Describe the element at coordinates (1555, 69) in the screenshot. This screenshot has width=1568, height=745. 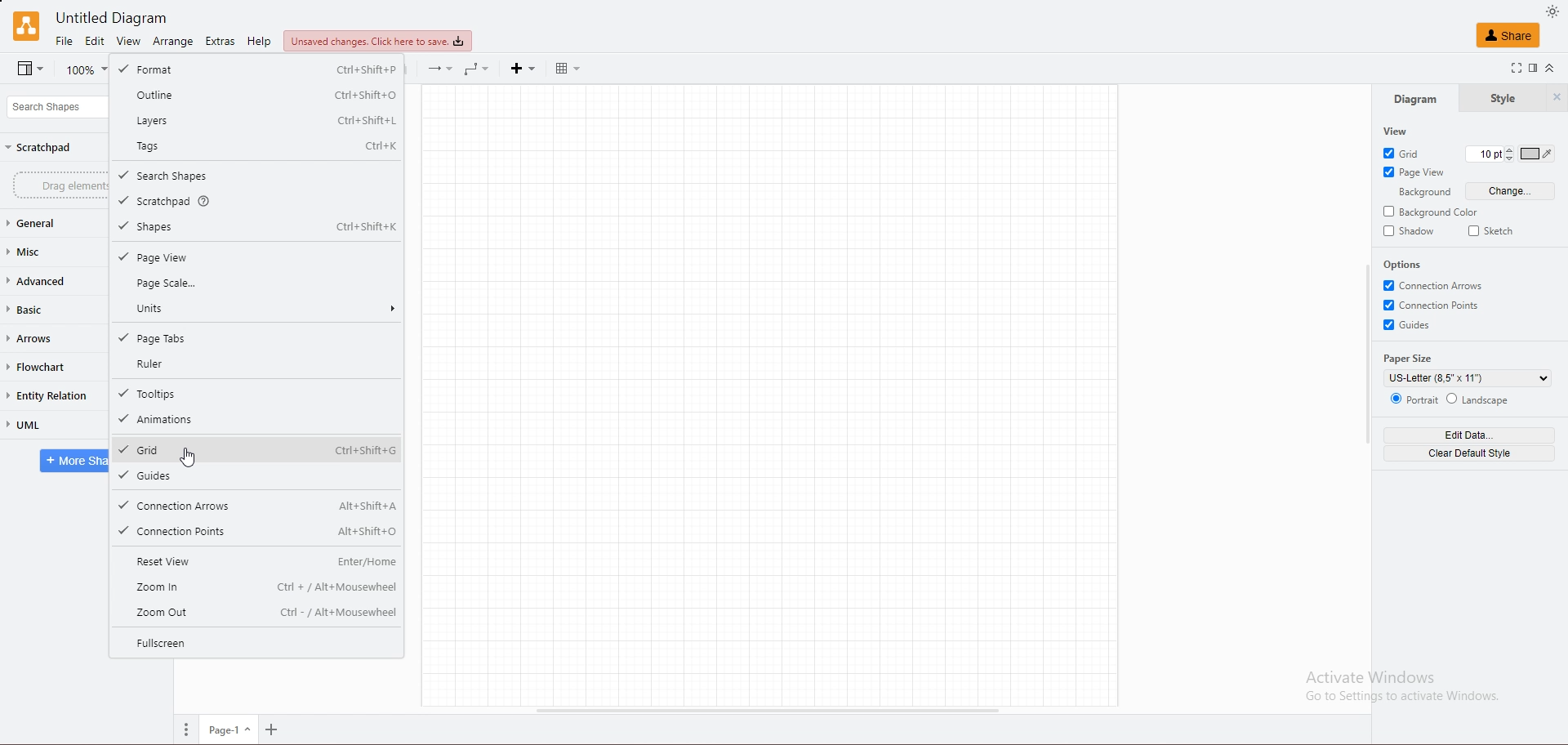
I see `collapse` at that location.